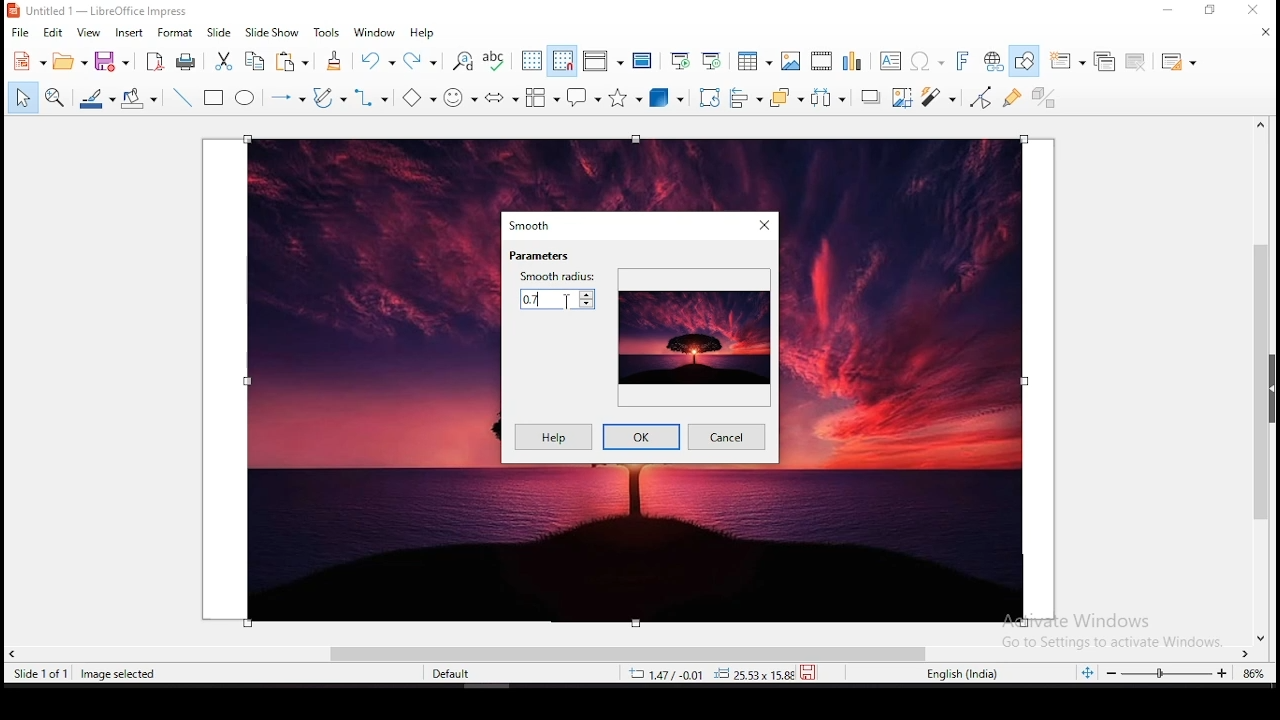 This screenshot has width=1280, height=720. I want to click on scroll bar, so click(631, 652).